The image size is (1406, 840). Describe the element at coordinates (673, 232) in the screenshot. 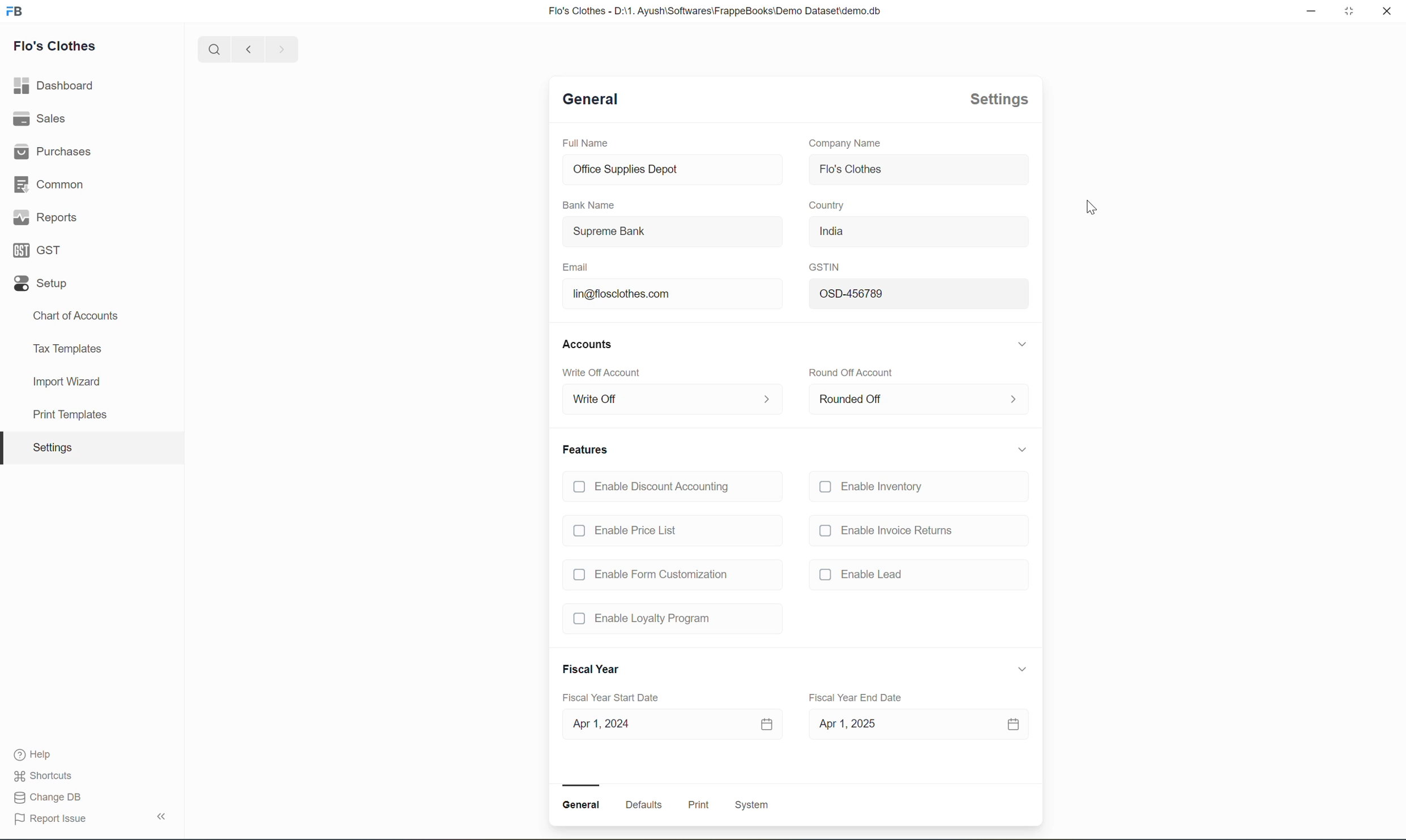

I see `Supreme Bank` at that location.